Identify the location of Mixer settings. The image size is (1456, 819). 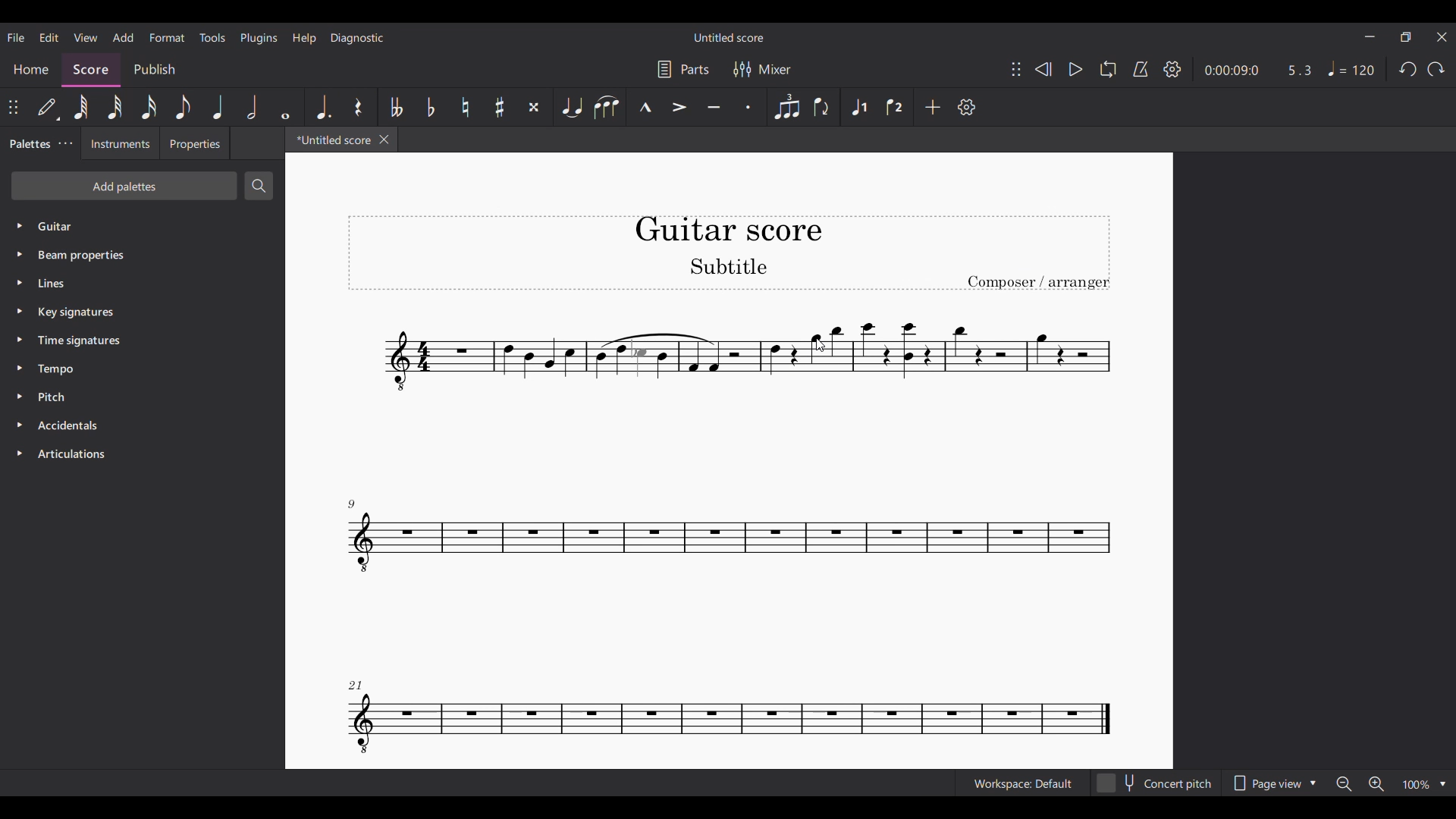
(762, 69).